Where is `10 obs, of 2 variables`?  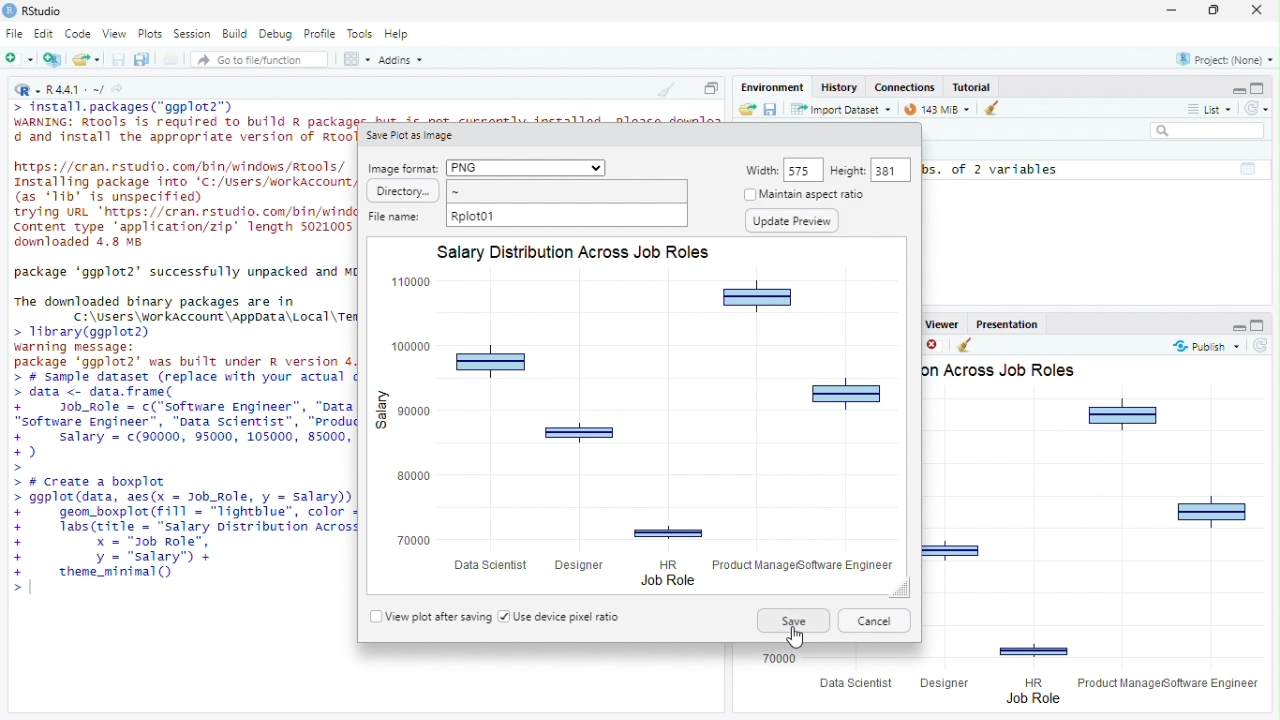 10 obs, of 2 variables is located at coordinates (1095, 169).